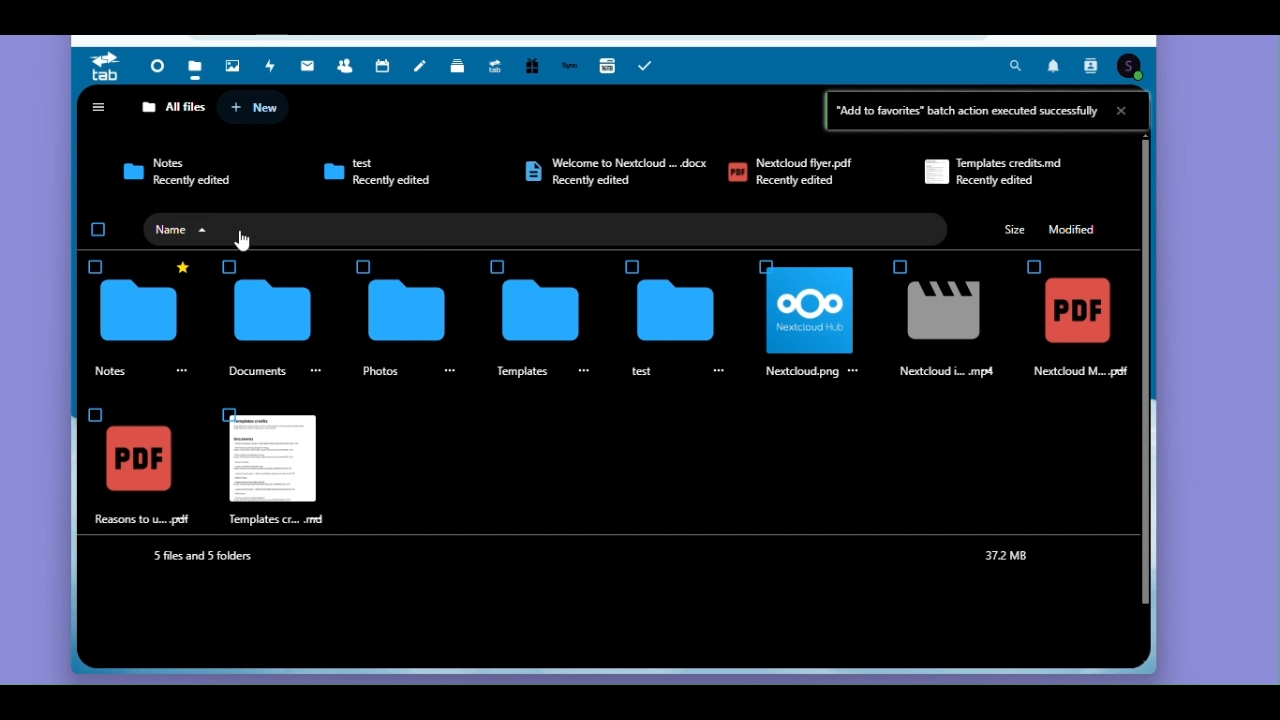 The image size is (1280, 720). What do you see at coordinates (899, 268) in the screenshot?
I see `Check Box` at bounding box center [899, 268].